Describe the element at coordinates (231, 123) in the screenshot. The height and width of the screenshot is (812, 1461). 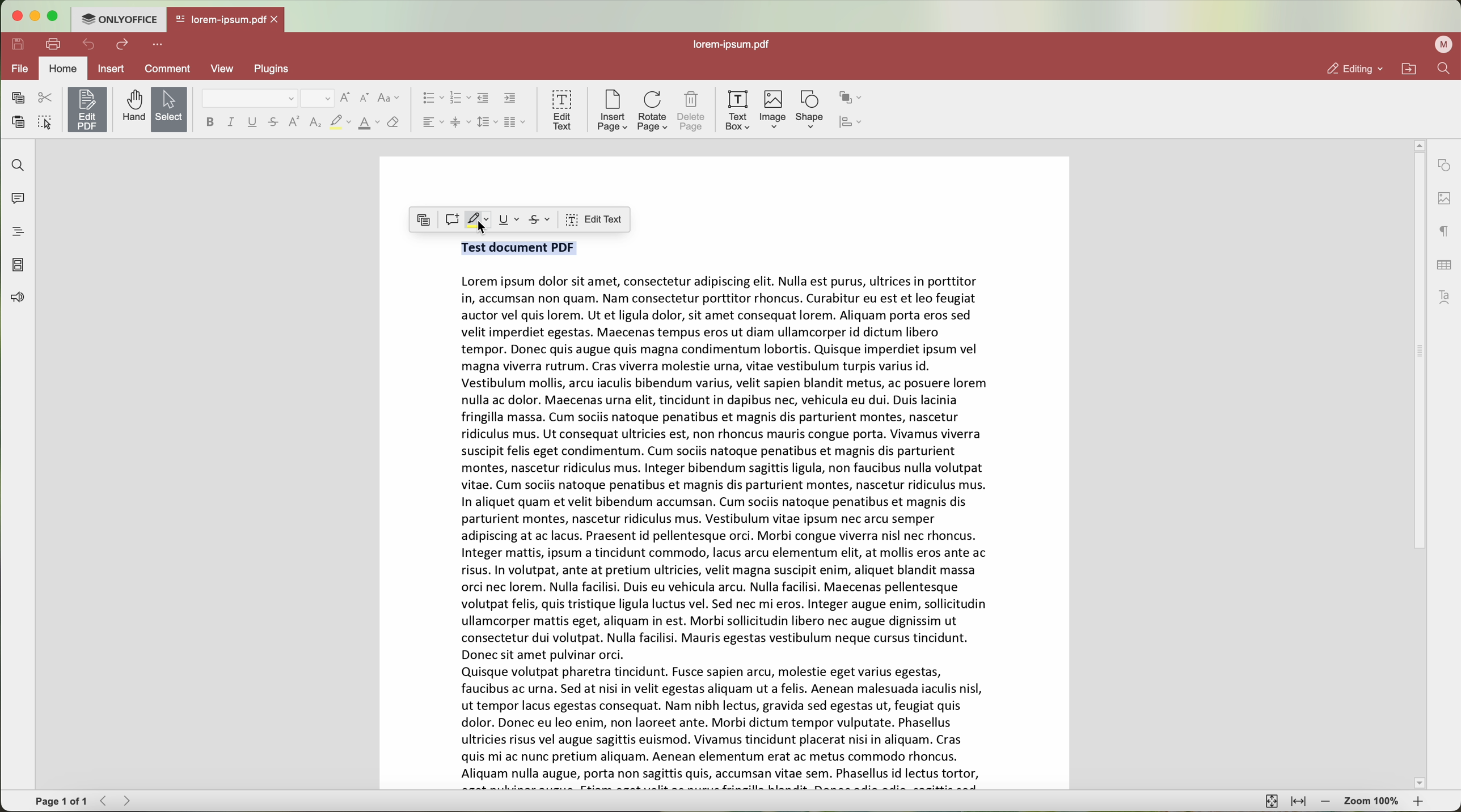
I see `italic` at that location.